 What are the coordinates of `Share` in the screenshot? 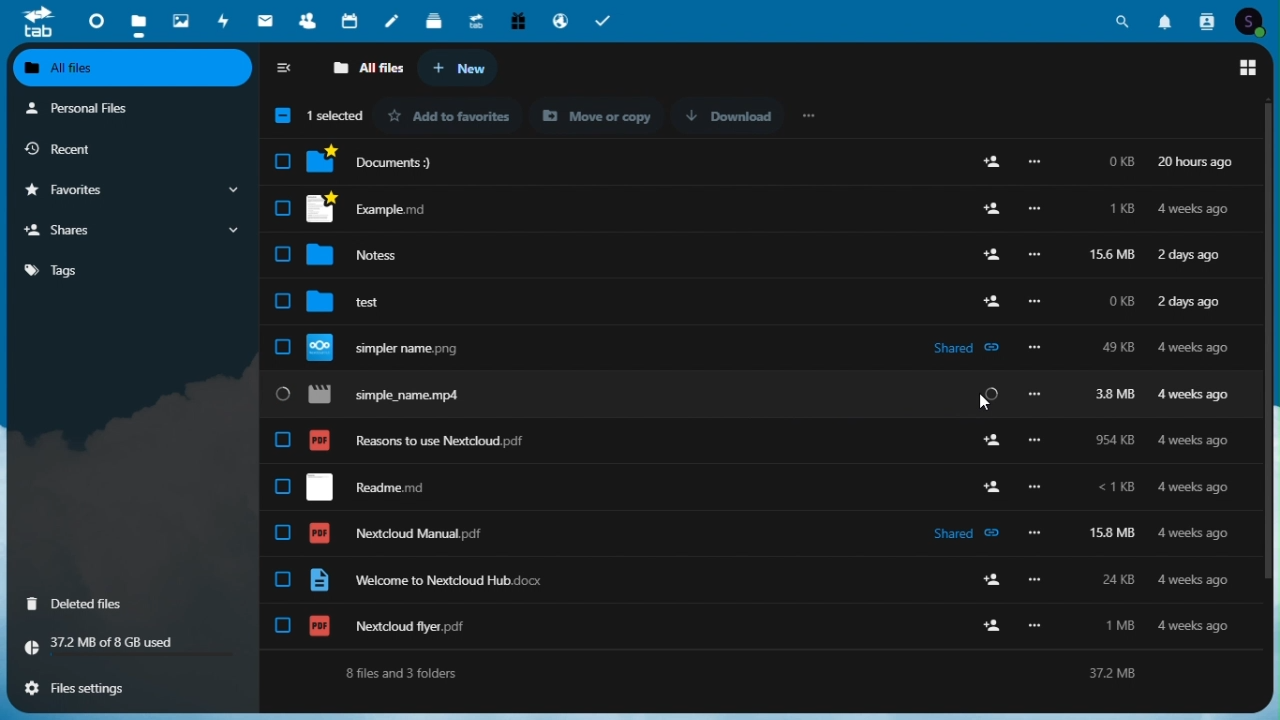 It's located at (134, 231).